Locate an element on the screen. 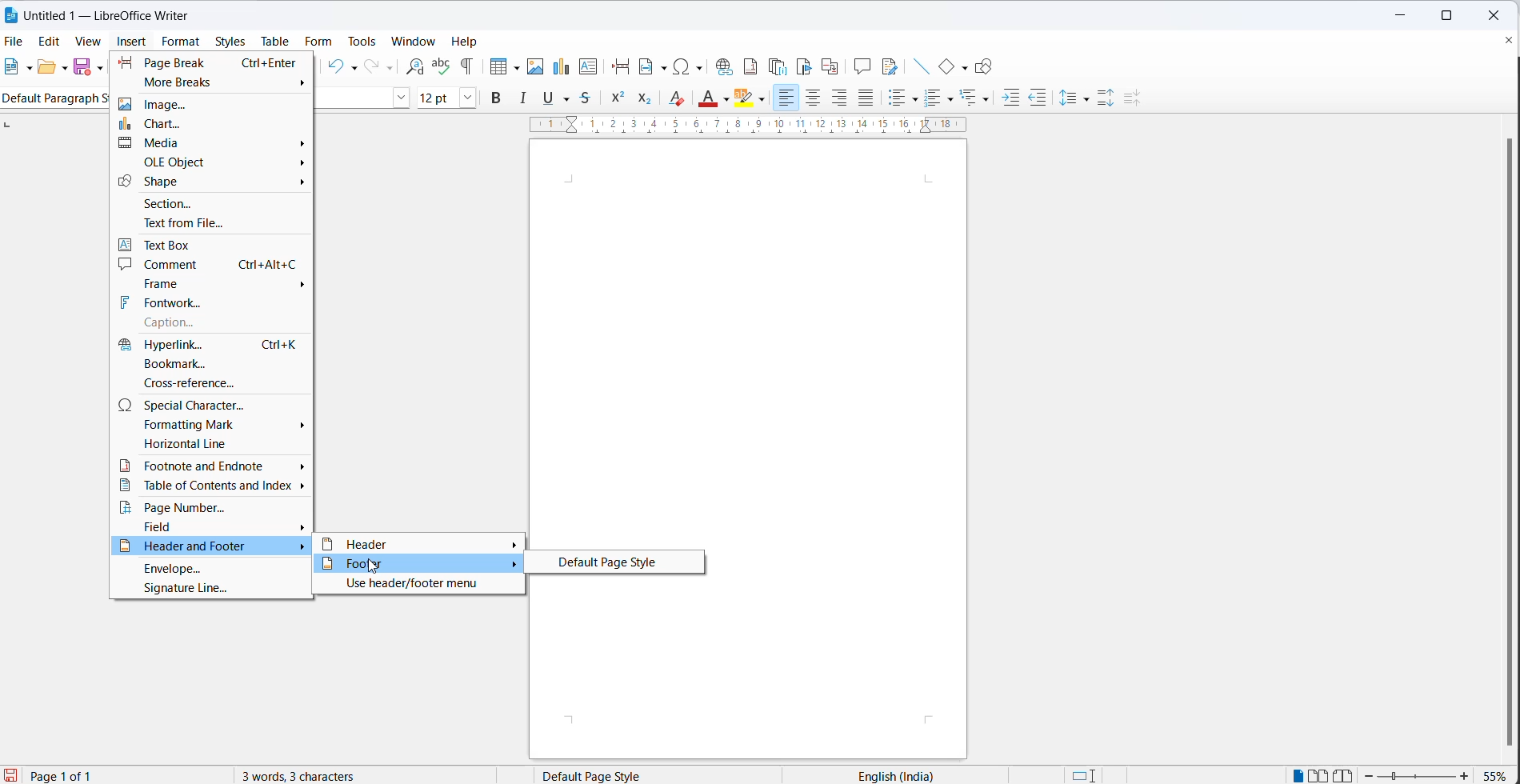 The height and width of the screenshot is (784, 1520). table is located at coordinates (275, 40).